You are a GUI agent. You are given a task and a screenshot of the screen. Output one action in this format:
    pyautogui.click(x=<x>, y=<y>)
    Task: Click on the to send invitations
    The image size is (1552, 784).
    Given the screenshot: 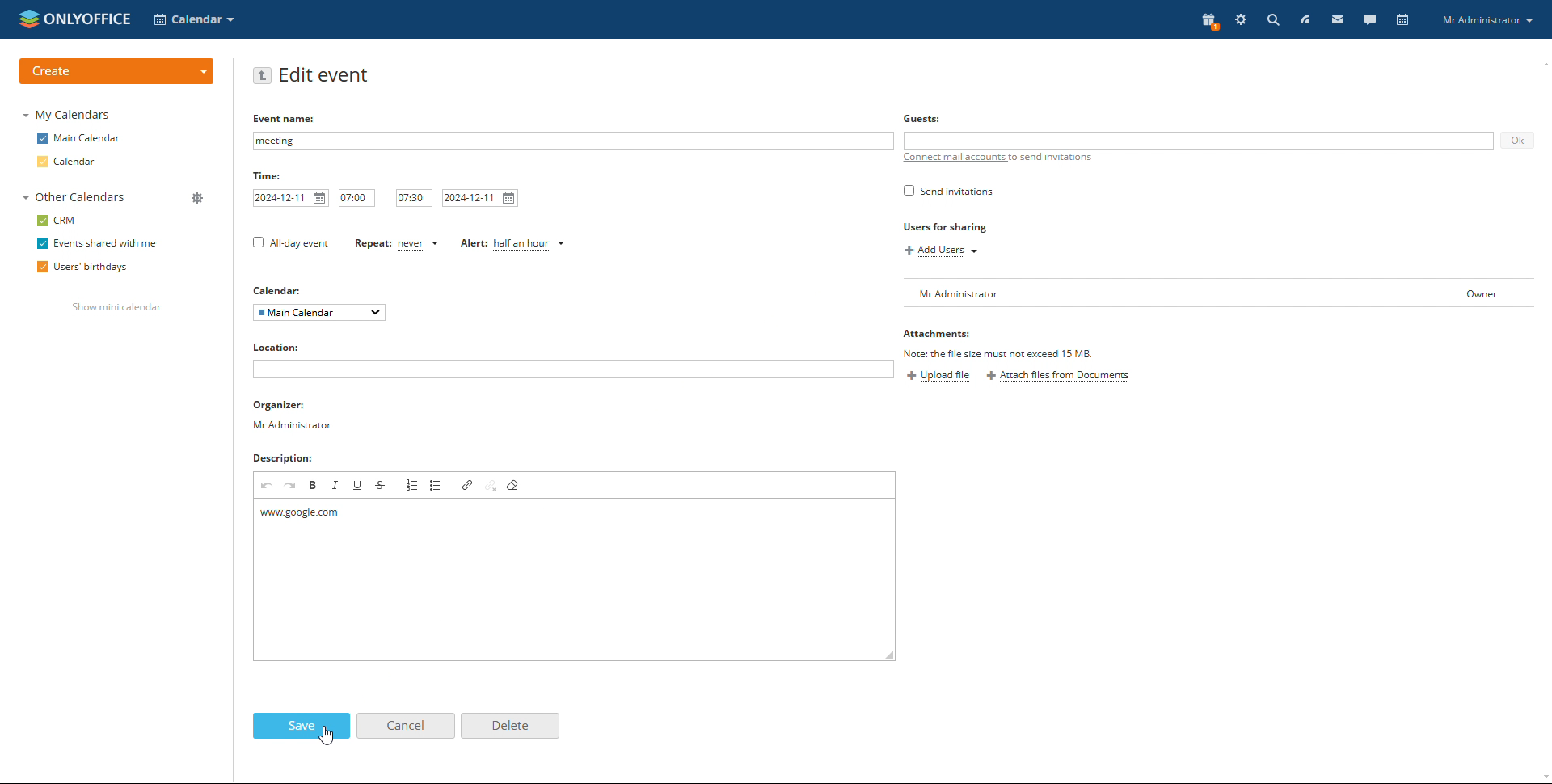 What is the action you would take?
    pyautogui.click(x=1049, y=157)
    